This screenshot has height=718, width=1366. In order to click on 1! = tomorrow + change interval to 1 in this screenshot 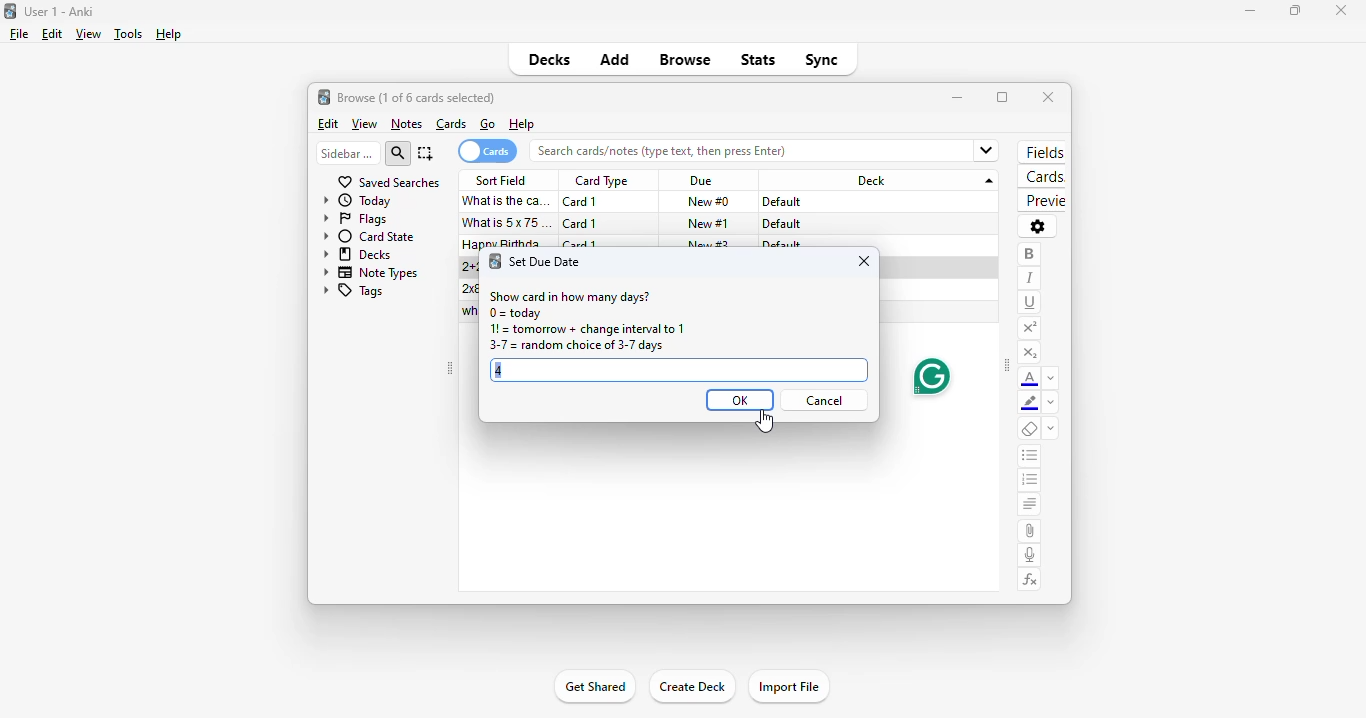, I will do `click(587, 330)`.